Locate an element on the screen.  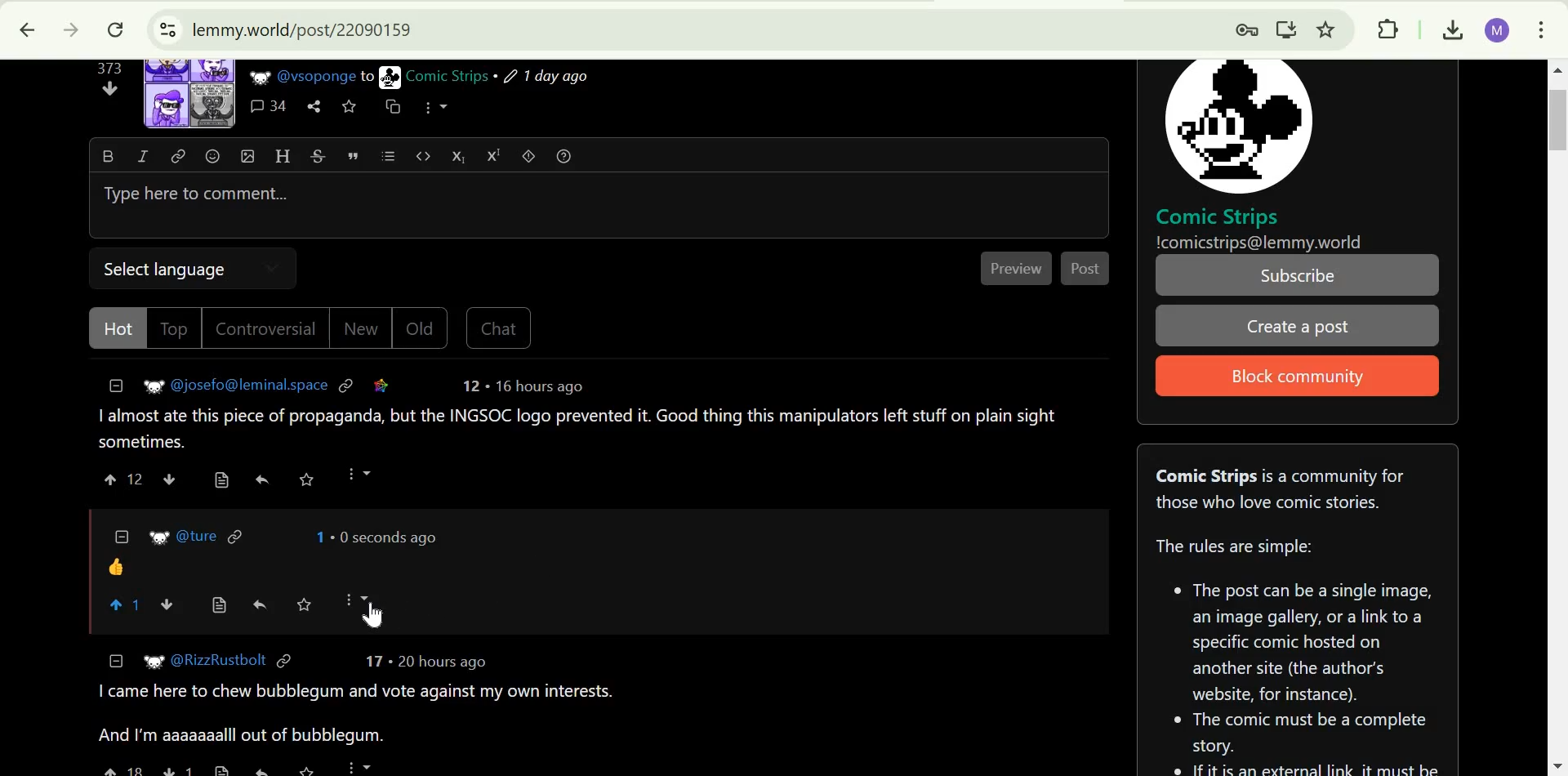
share is located at coordinates (261, 767).